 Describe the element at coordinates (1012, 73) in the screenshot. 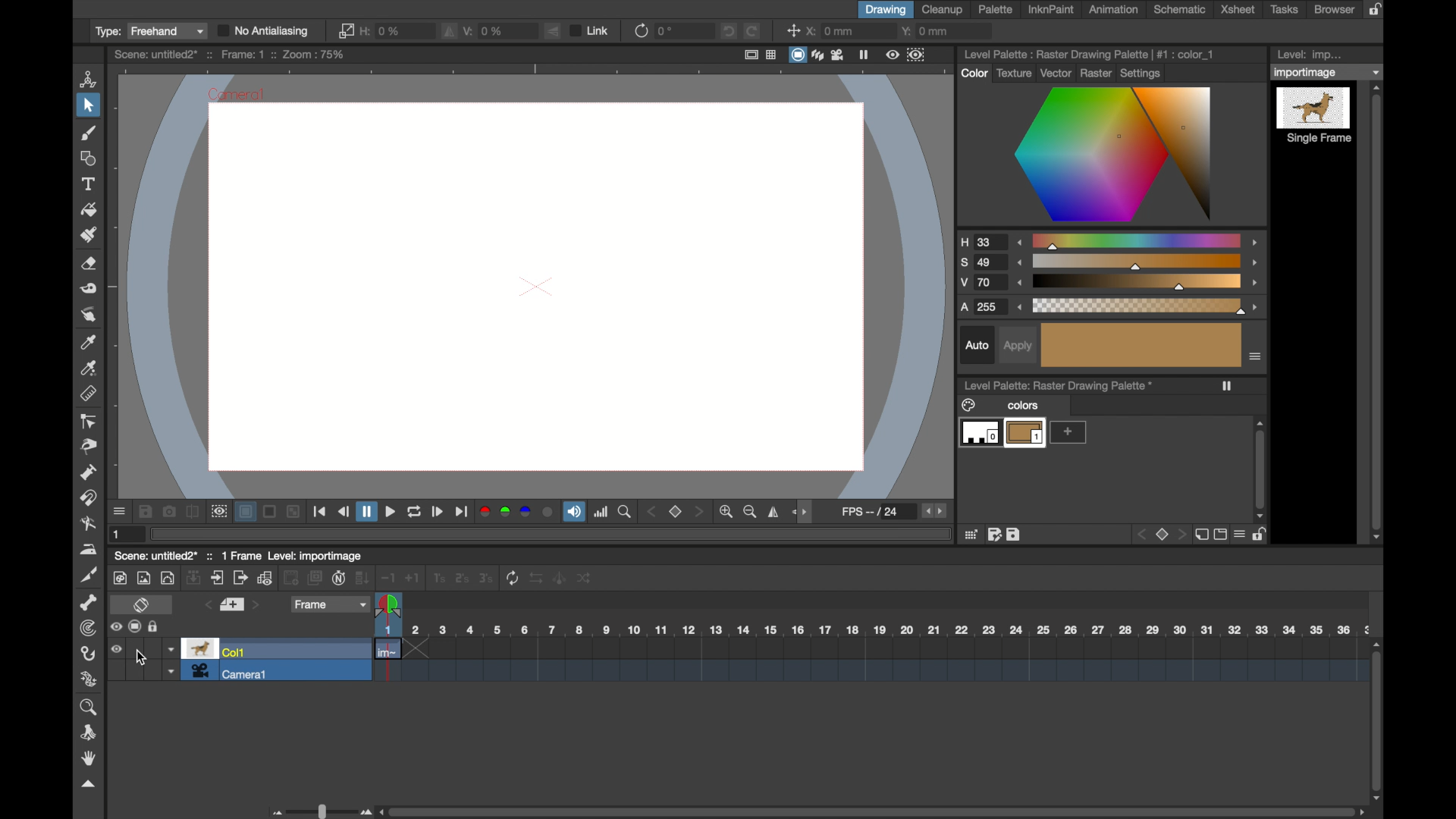

I see `texture` at that location.